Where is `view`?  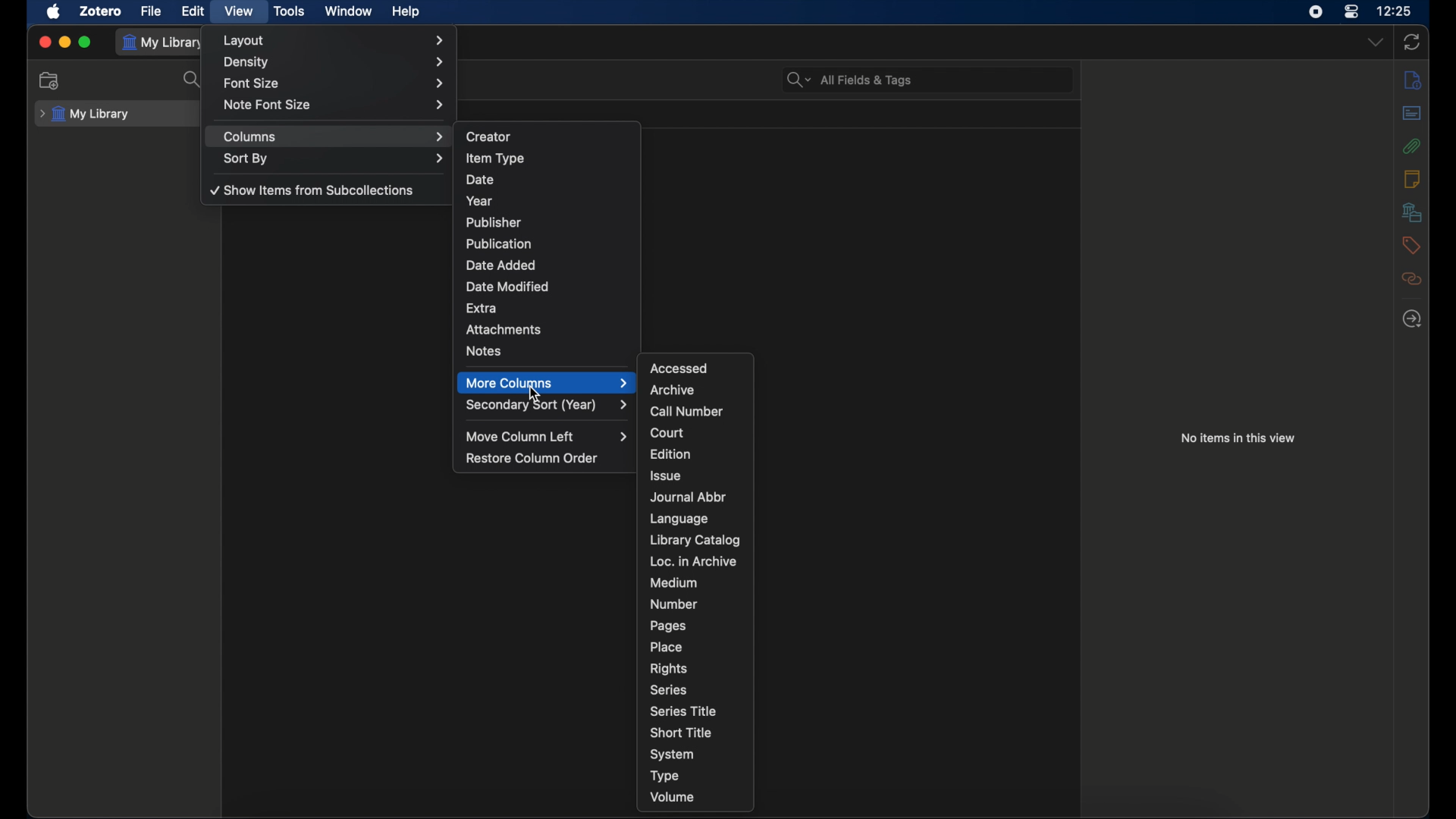
view is located at coordinates (238, 11).